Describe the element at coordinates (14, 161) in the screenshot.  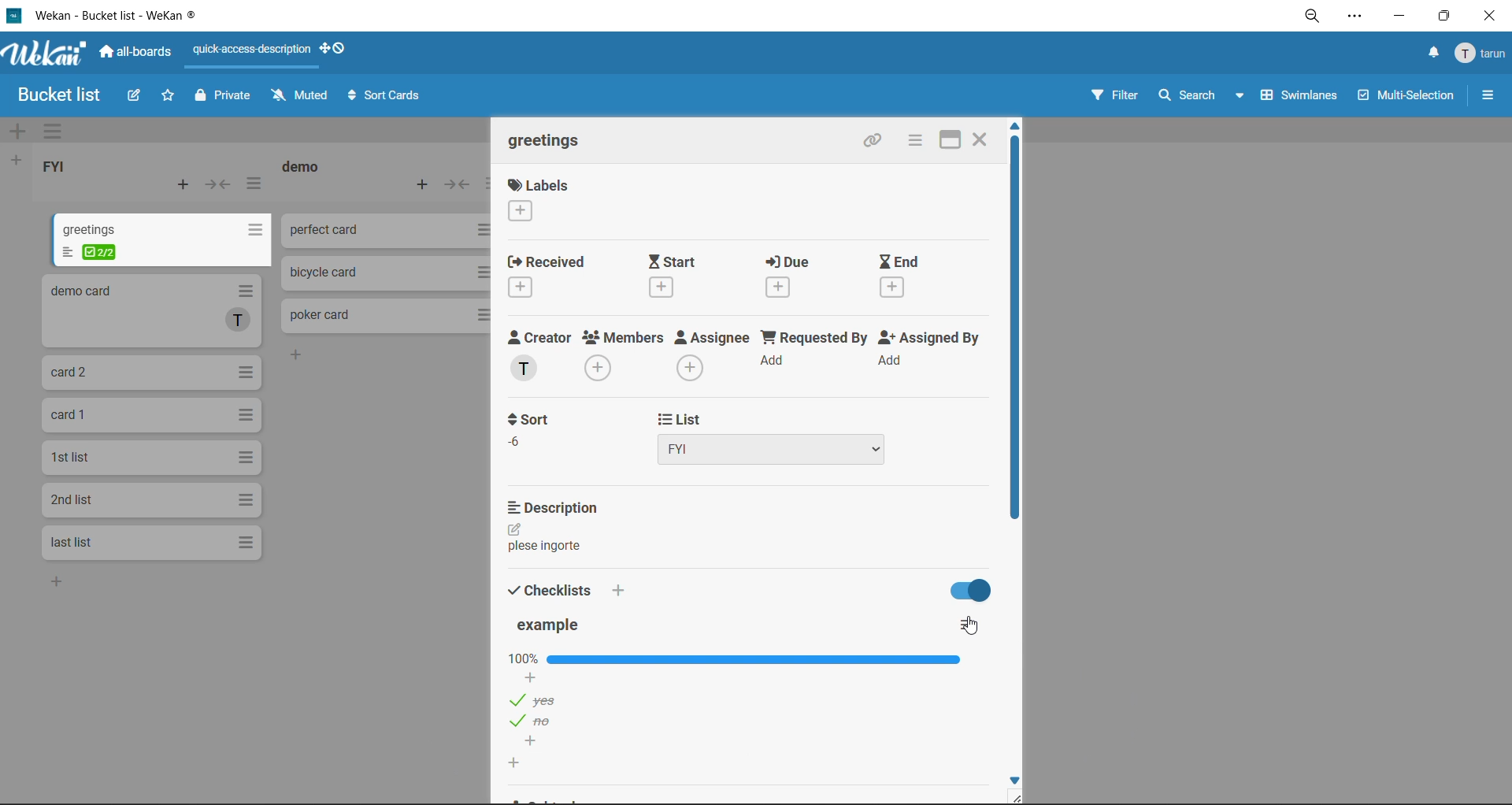
I see `add list` at that location.